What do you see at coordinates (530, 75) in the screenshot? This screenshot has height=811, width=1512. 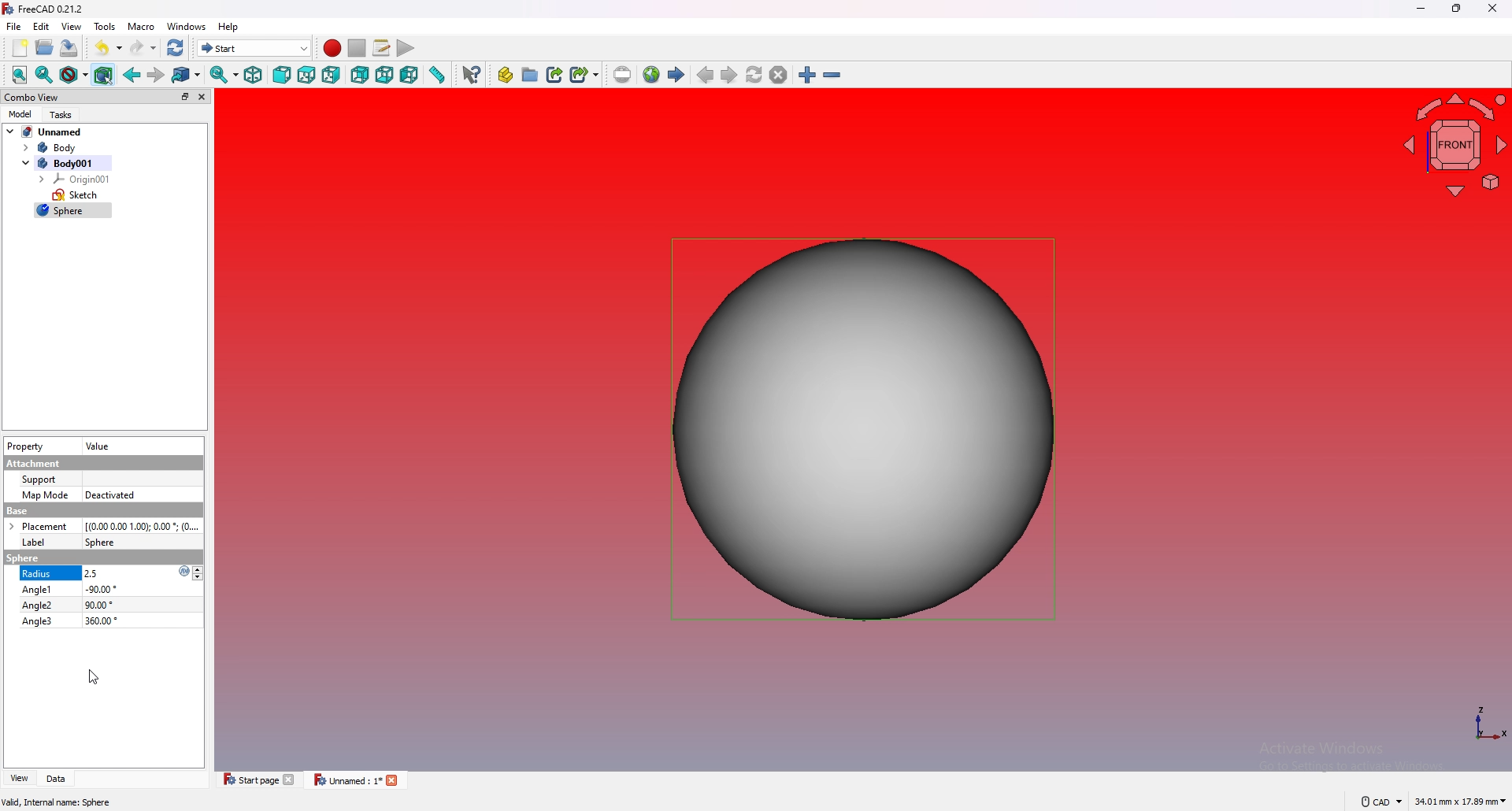 I see `create group` at bounding box center [530, 75].